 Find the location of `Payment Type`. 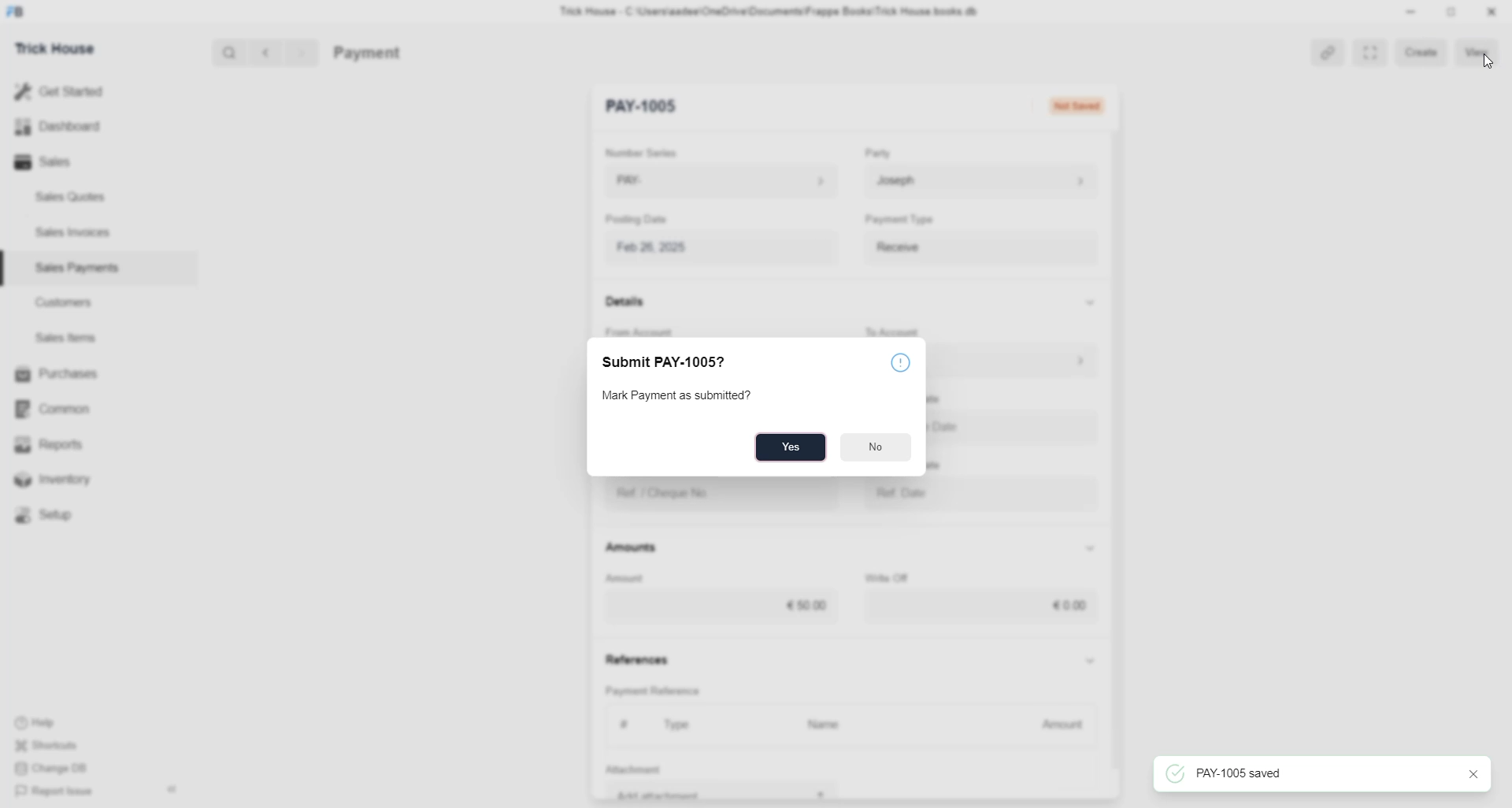

Payment Type is located at coordinates (982, 249).